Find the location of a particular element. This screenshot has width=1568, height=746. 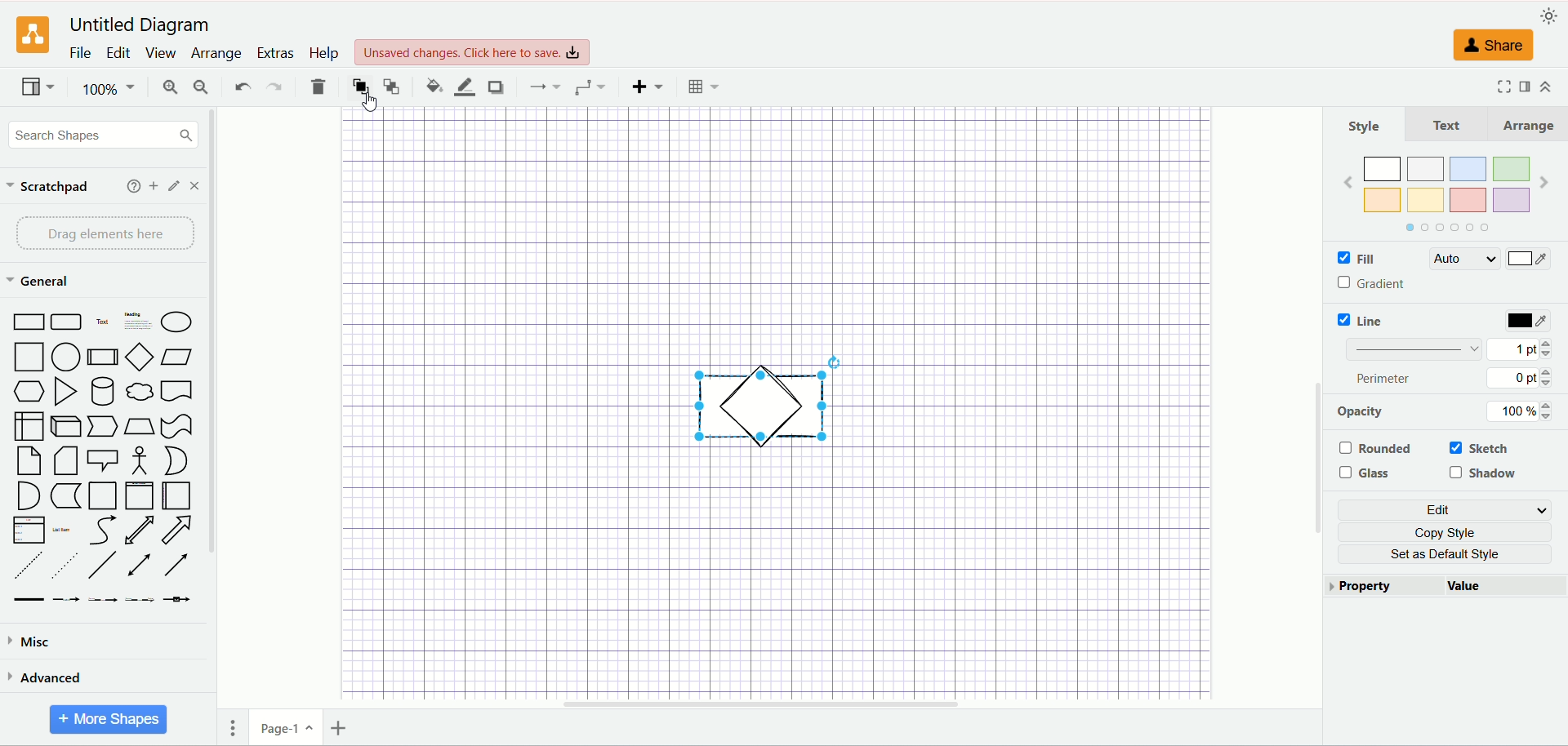

Diamond is located at coordinates (140, 357).